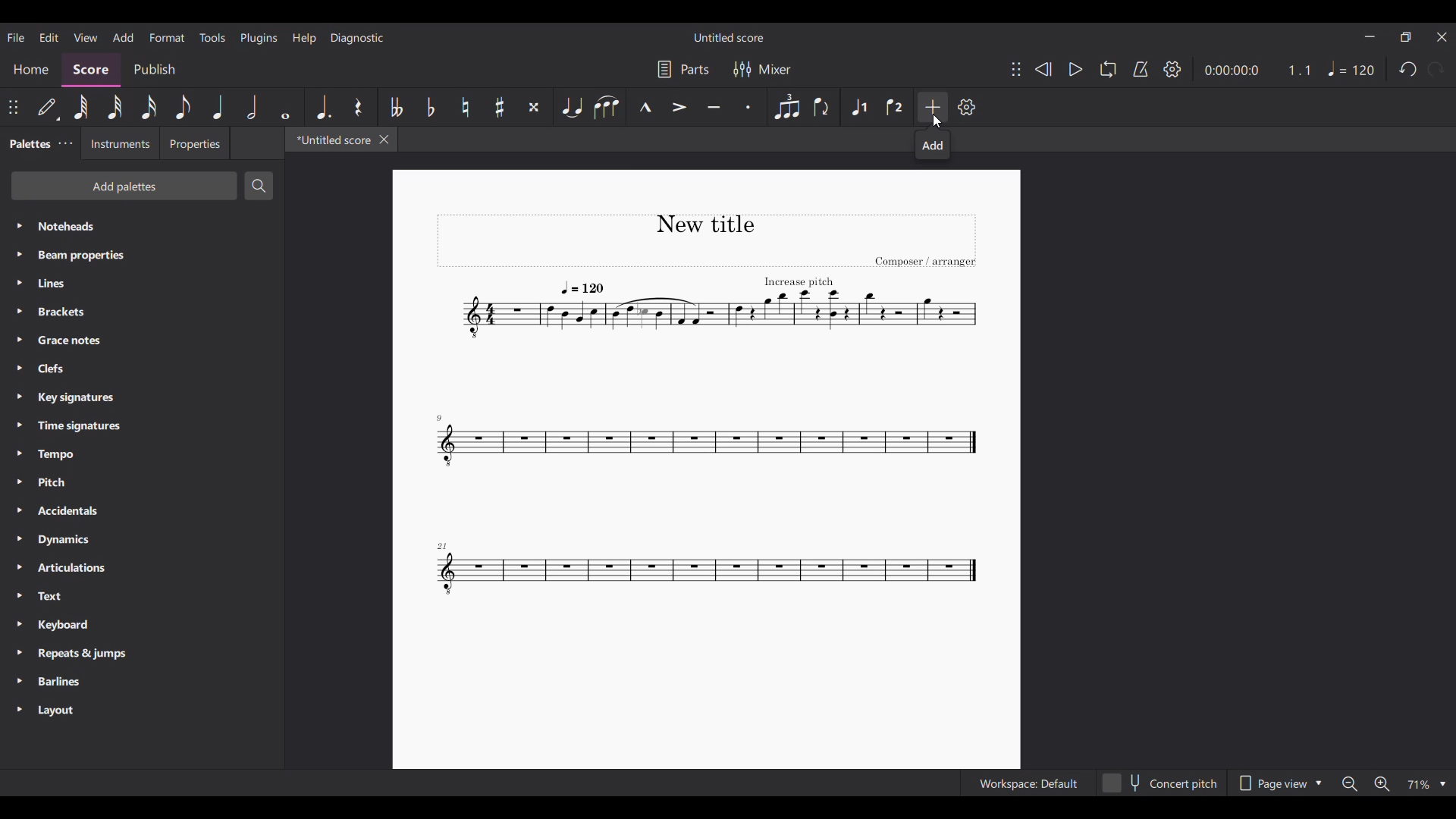  What do you see at coordinates (143, 568) in the screenshot?
I see `Articulations` at bounding box center [143, 568].